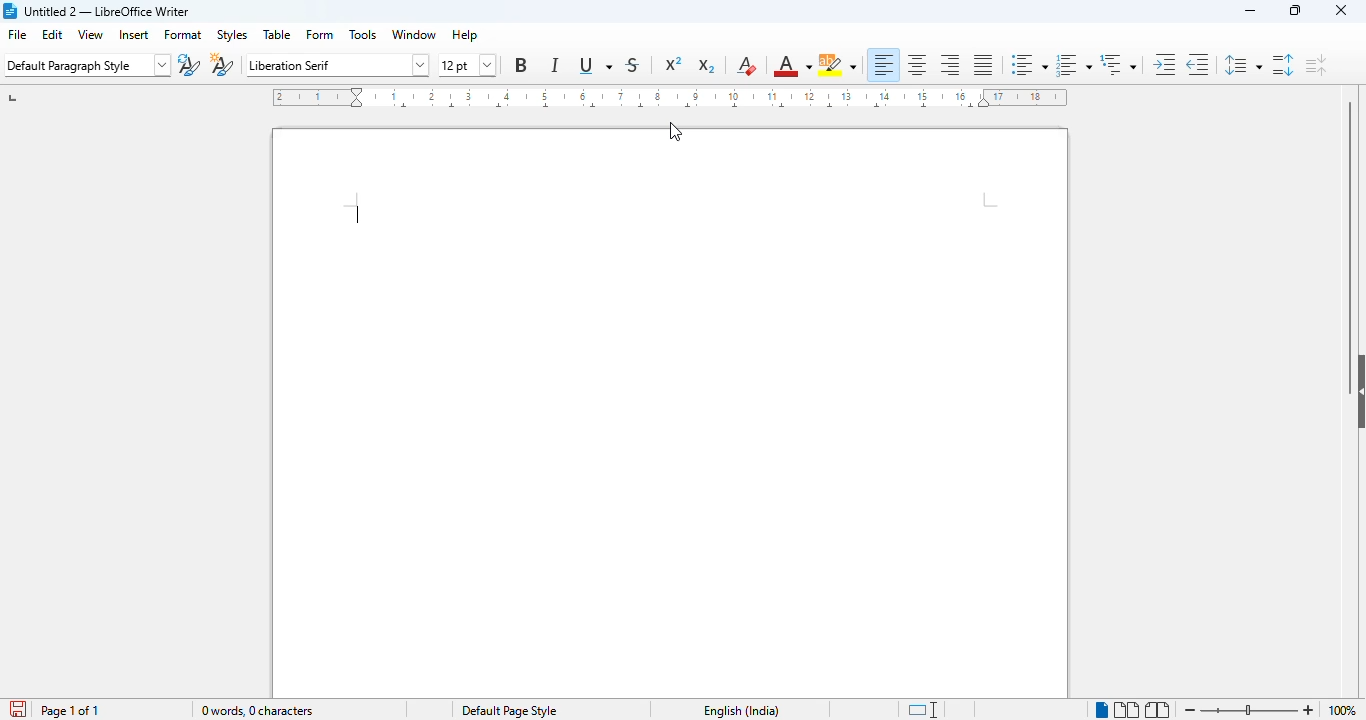  What do you see at coordinates (1190, 710) in the screenshot?
I see `zoom out` at bounding box center [1190, 710].